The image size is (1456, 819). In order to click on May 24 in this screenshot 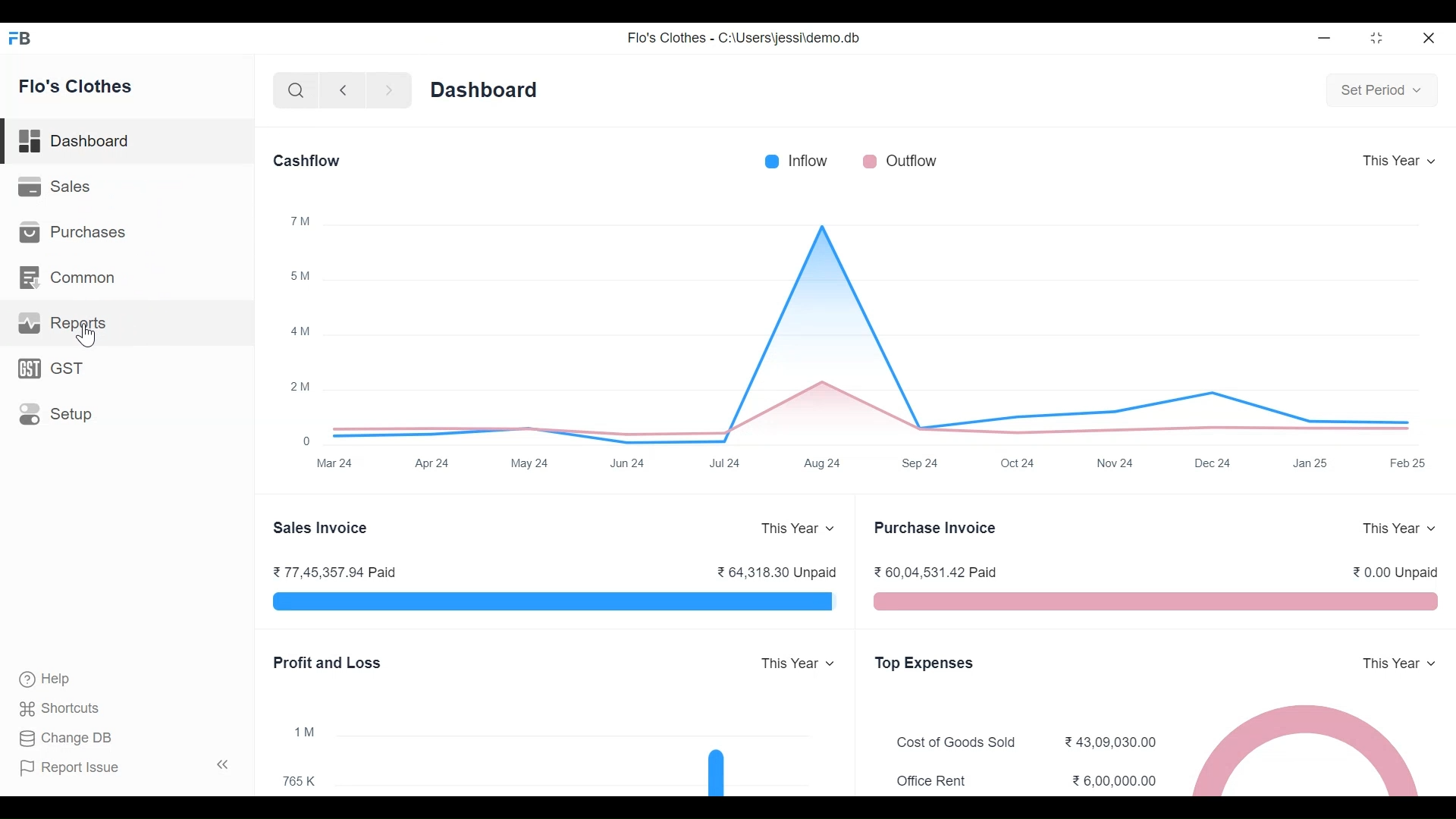, I will do `click(529, 463)`.